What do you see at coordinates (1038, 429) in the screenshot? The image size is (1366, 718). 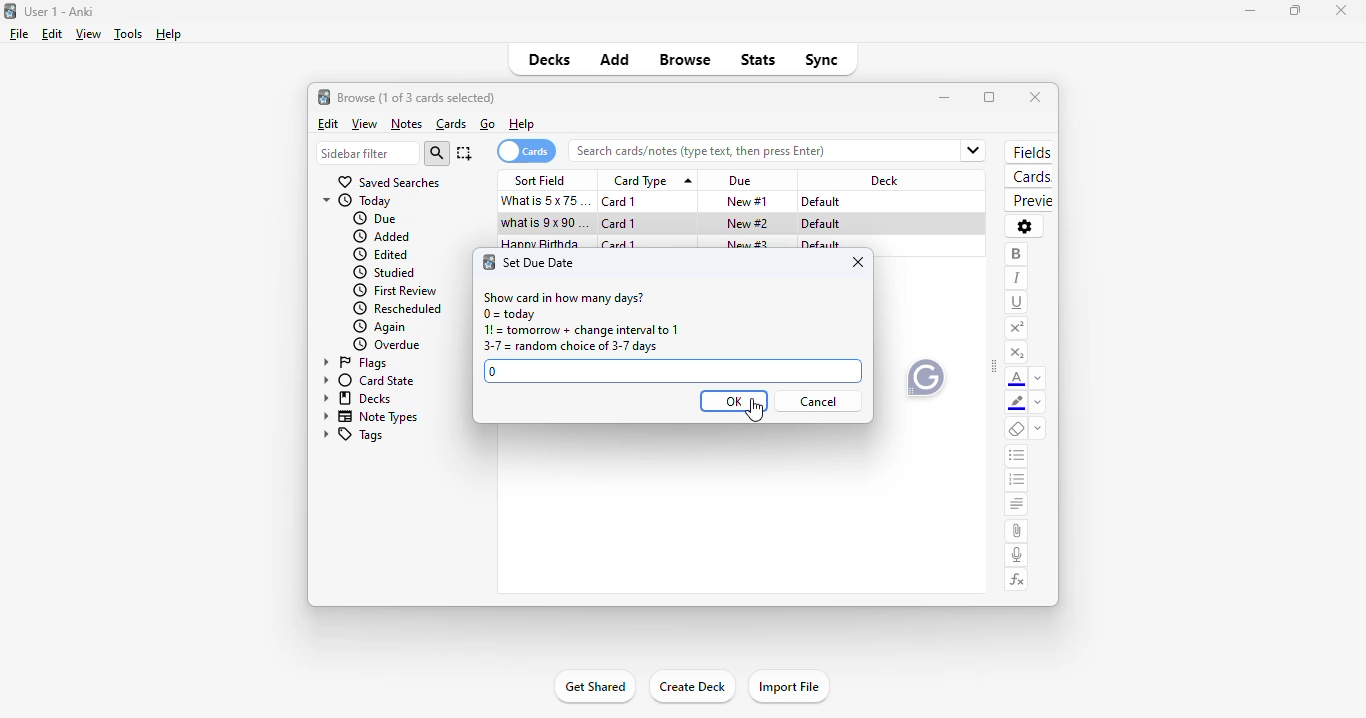 I see `select formatting to remove` at bounding box center [1038, 429].